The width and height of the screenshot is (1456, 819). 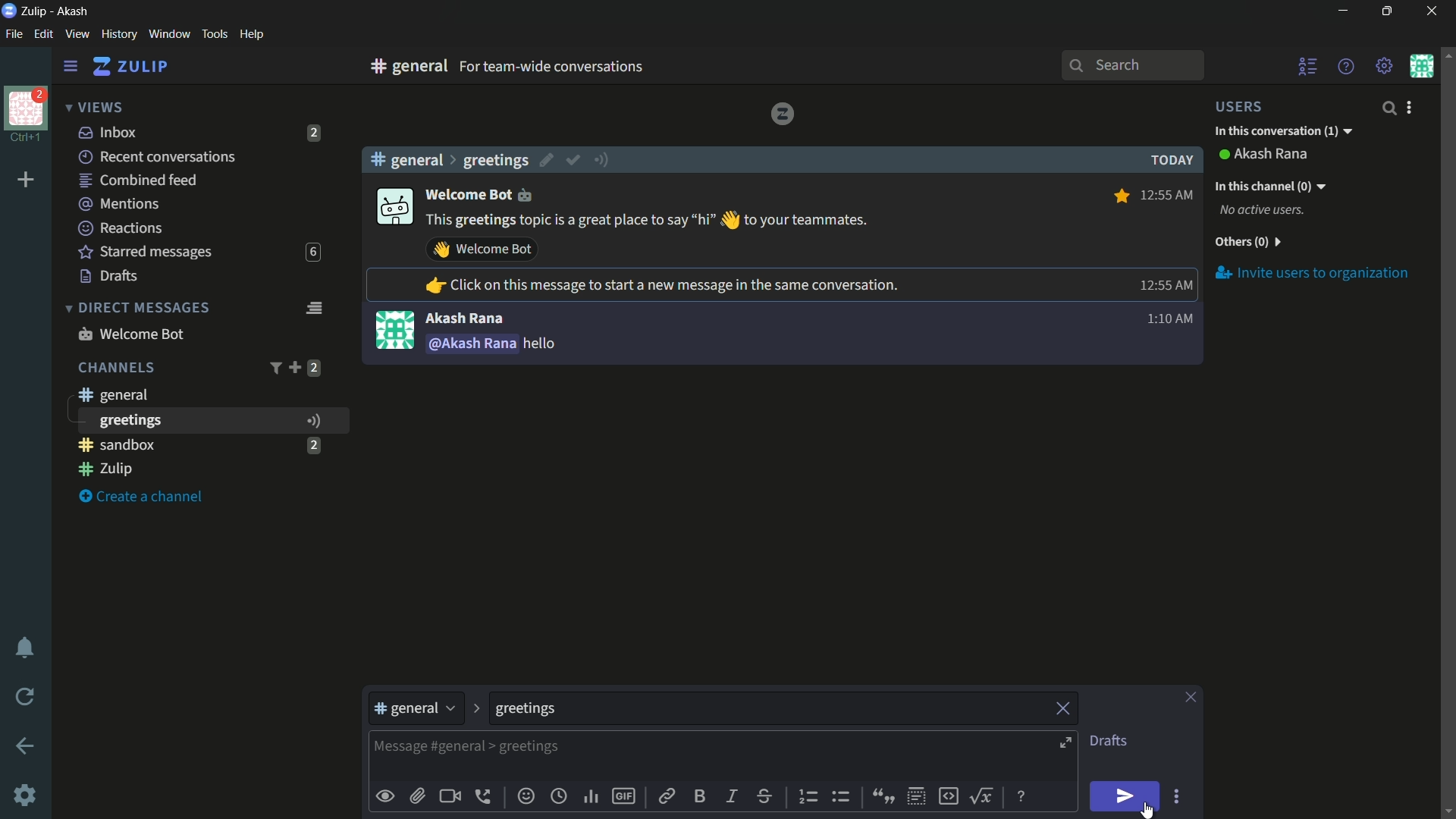 What do you see at coordinates (108, 132) in the screenshot?
I see `inbox` at bounding box center [108, 132].